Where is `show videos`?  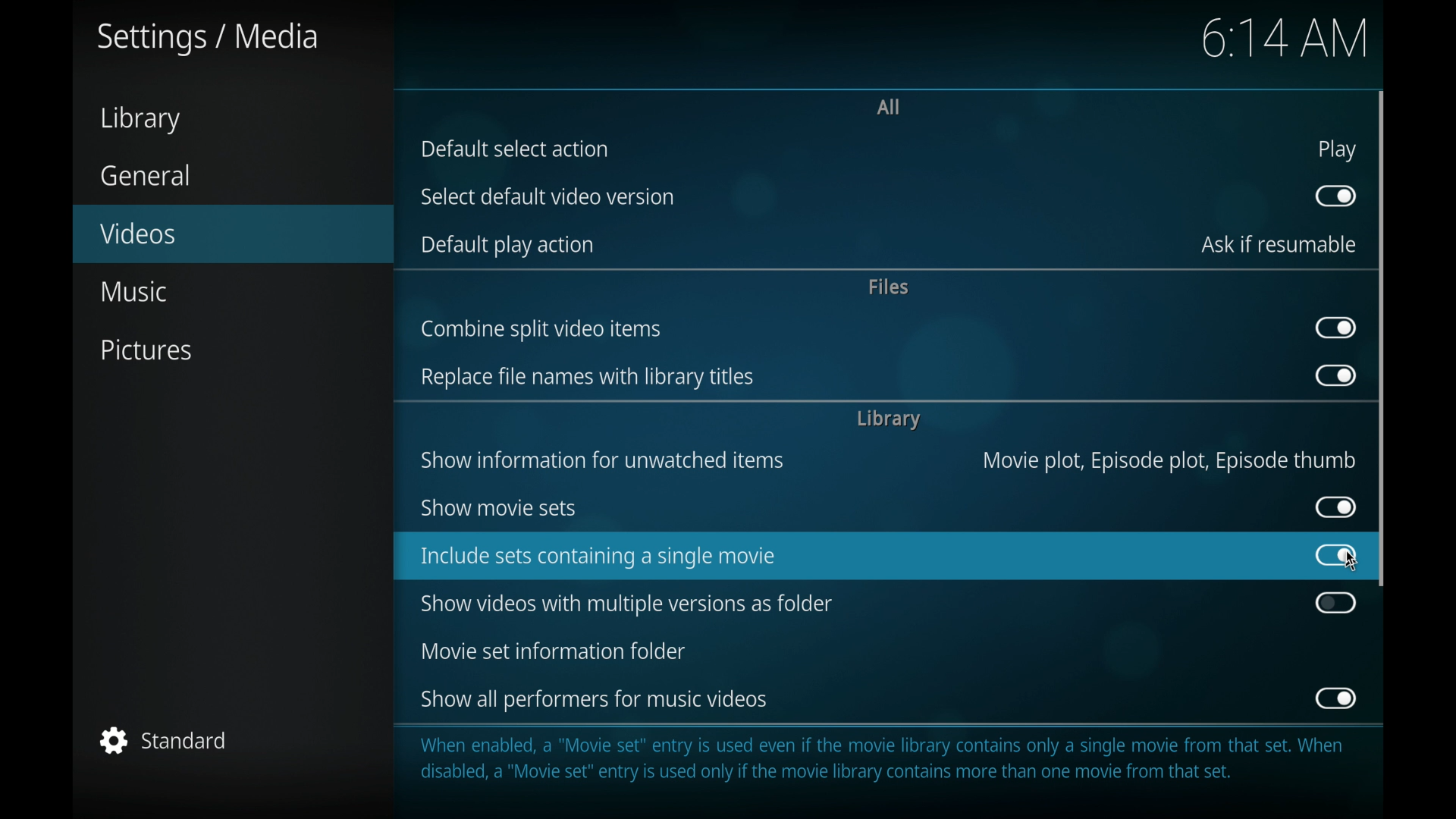
show videos is located at coordinates (626, 604).